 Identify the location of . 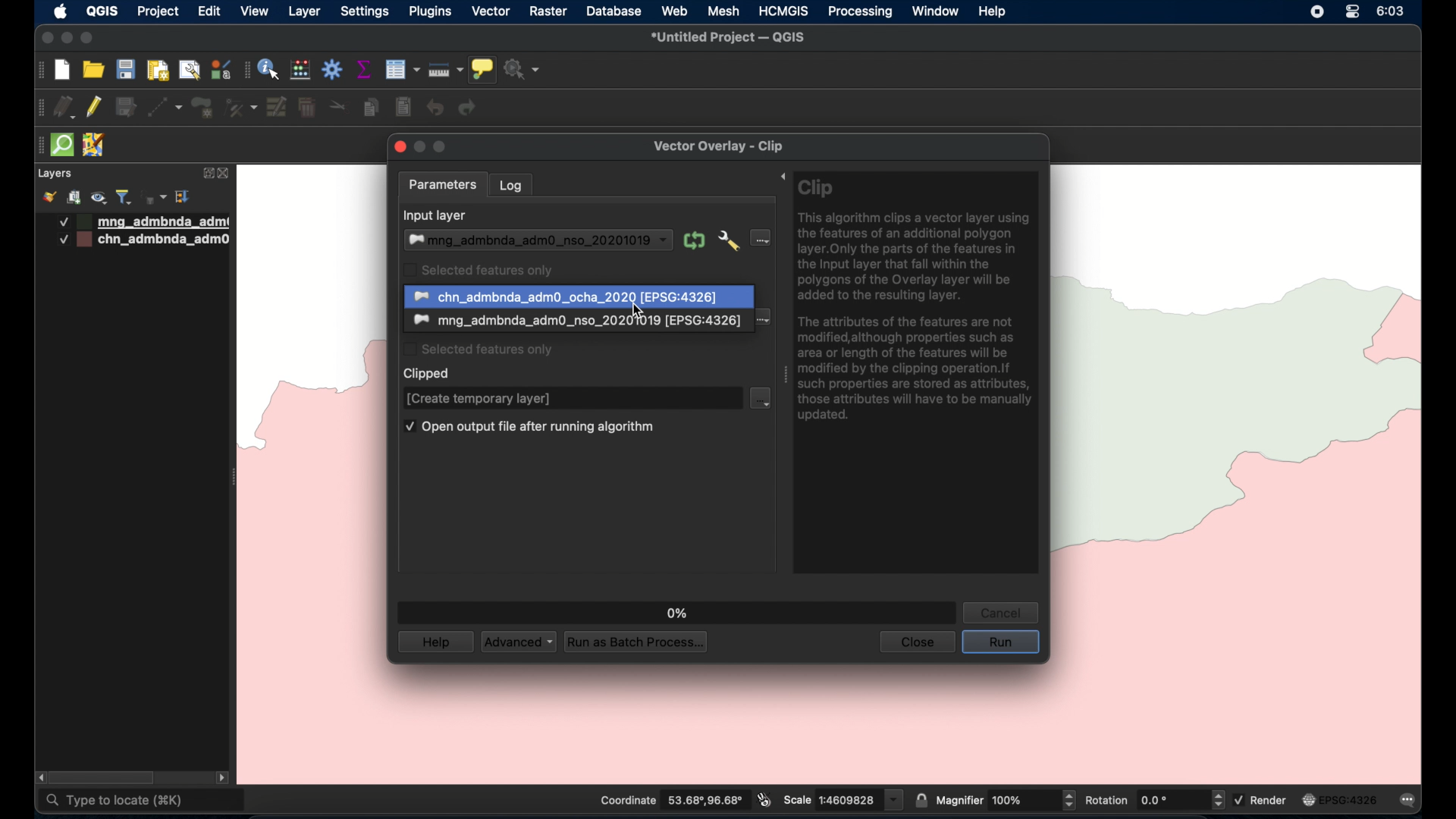
(268, 71).